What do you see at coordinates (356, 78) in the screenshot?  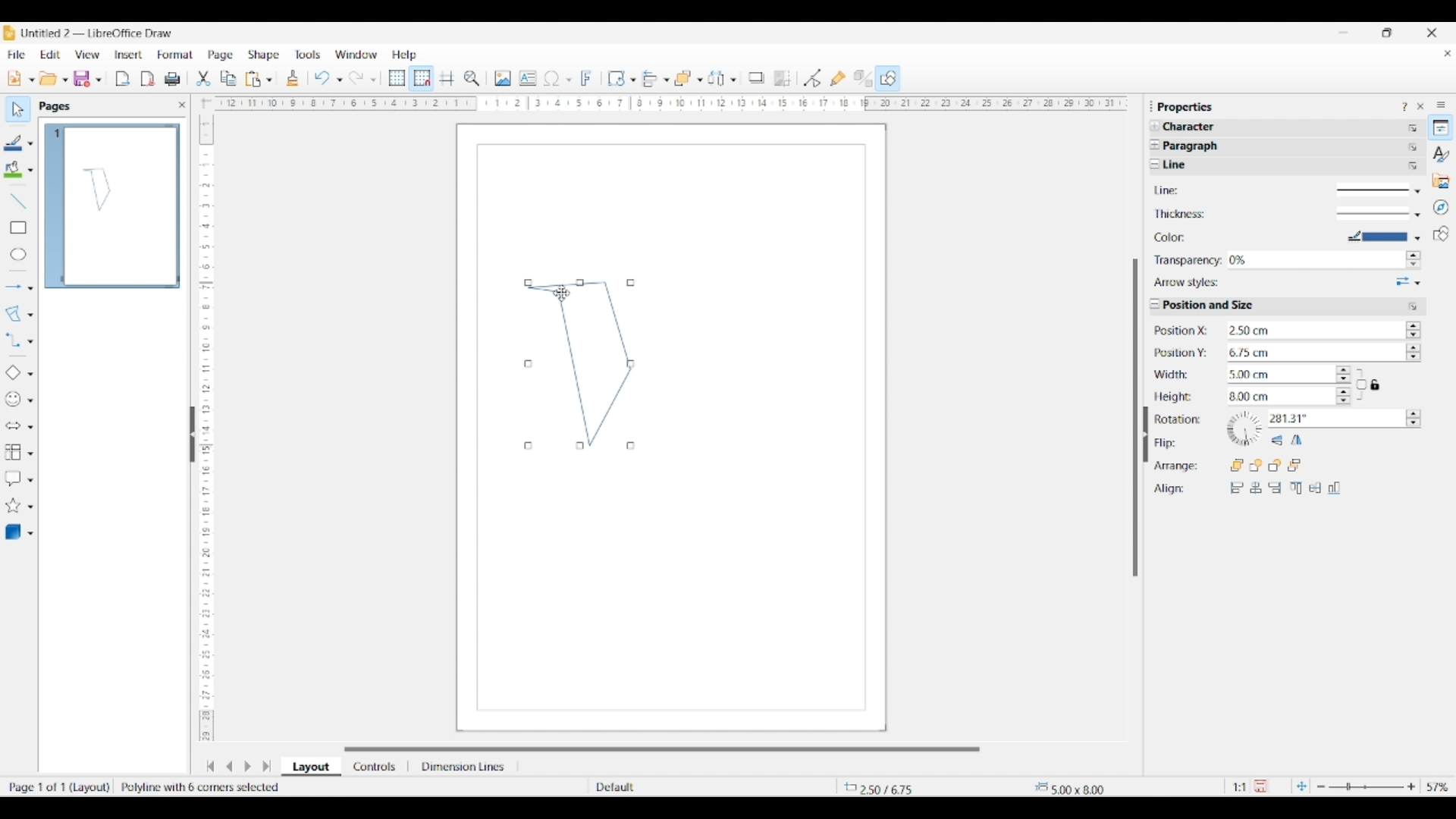 I see `Redo last action` at bounding box center [356, 78].